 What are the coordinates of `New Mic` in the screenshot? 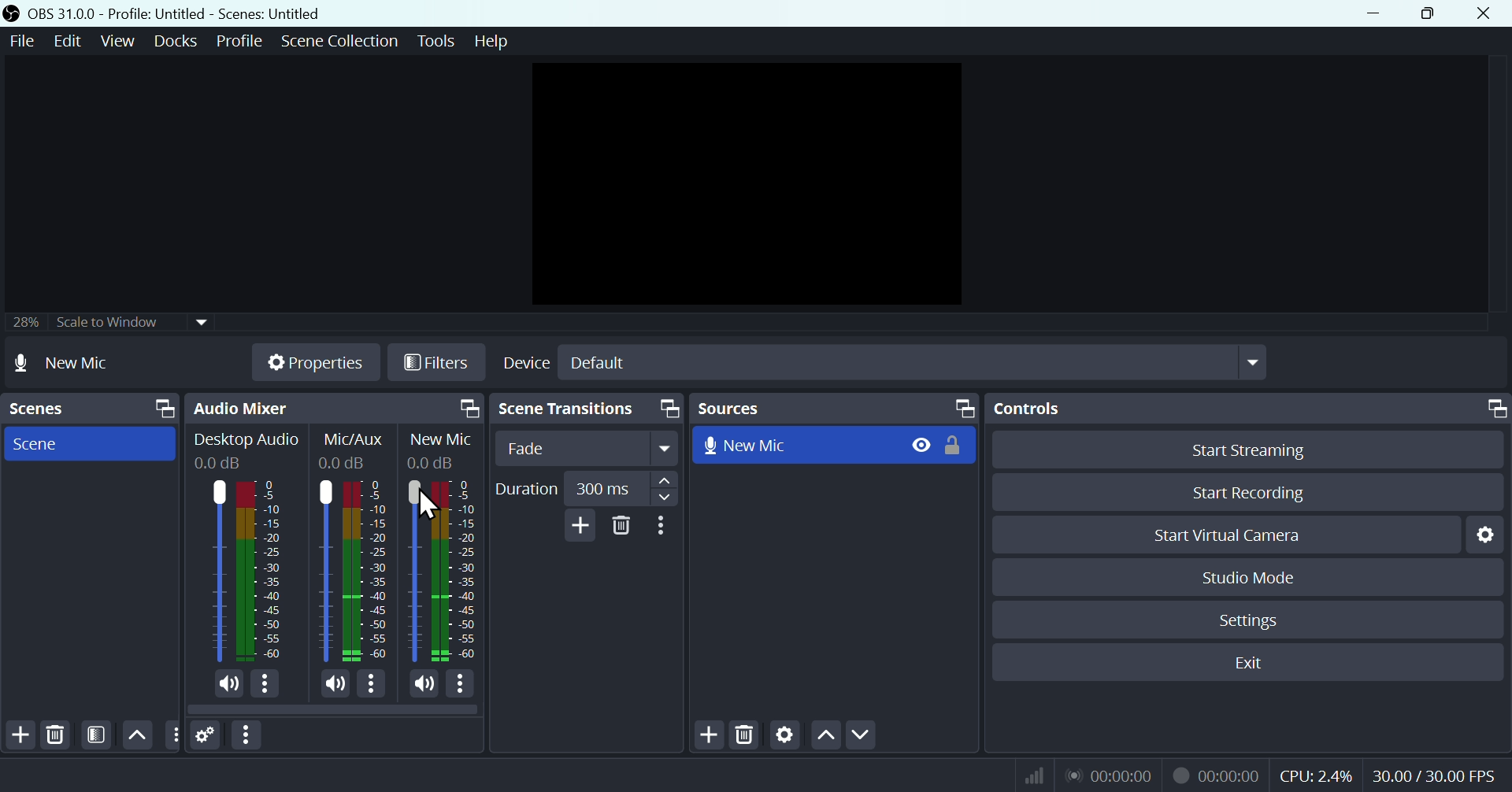 It's located at (442, 440).